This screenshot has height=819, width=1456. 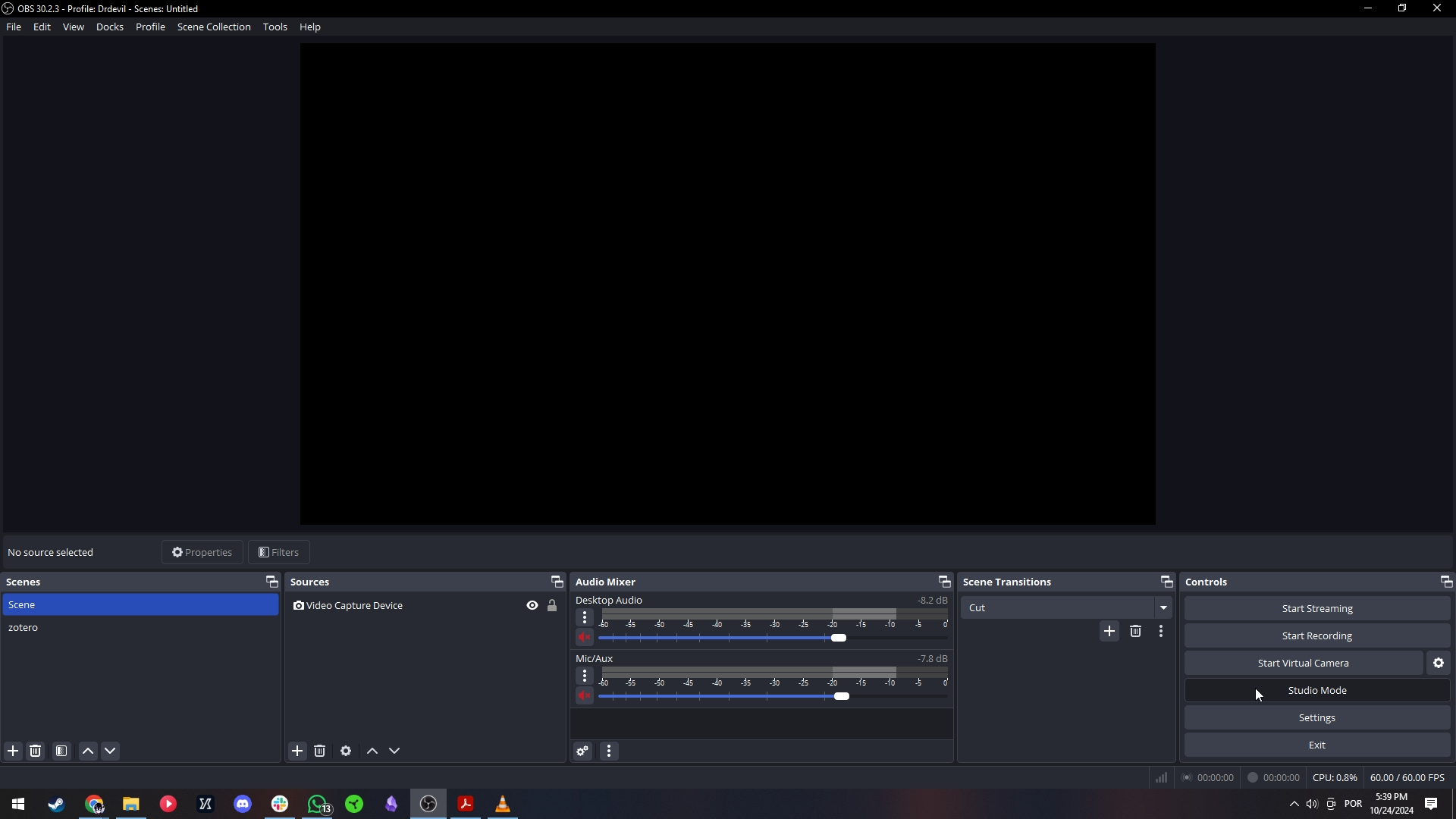 I want to click on Cut, so click(x=1057, y=607).